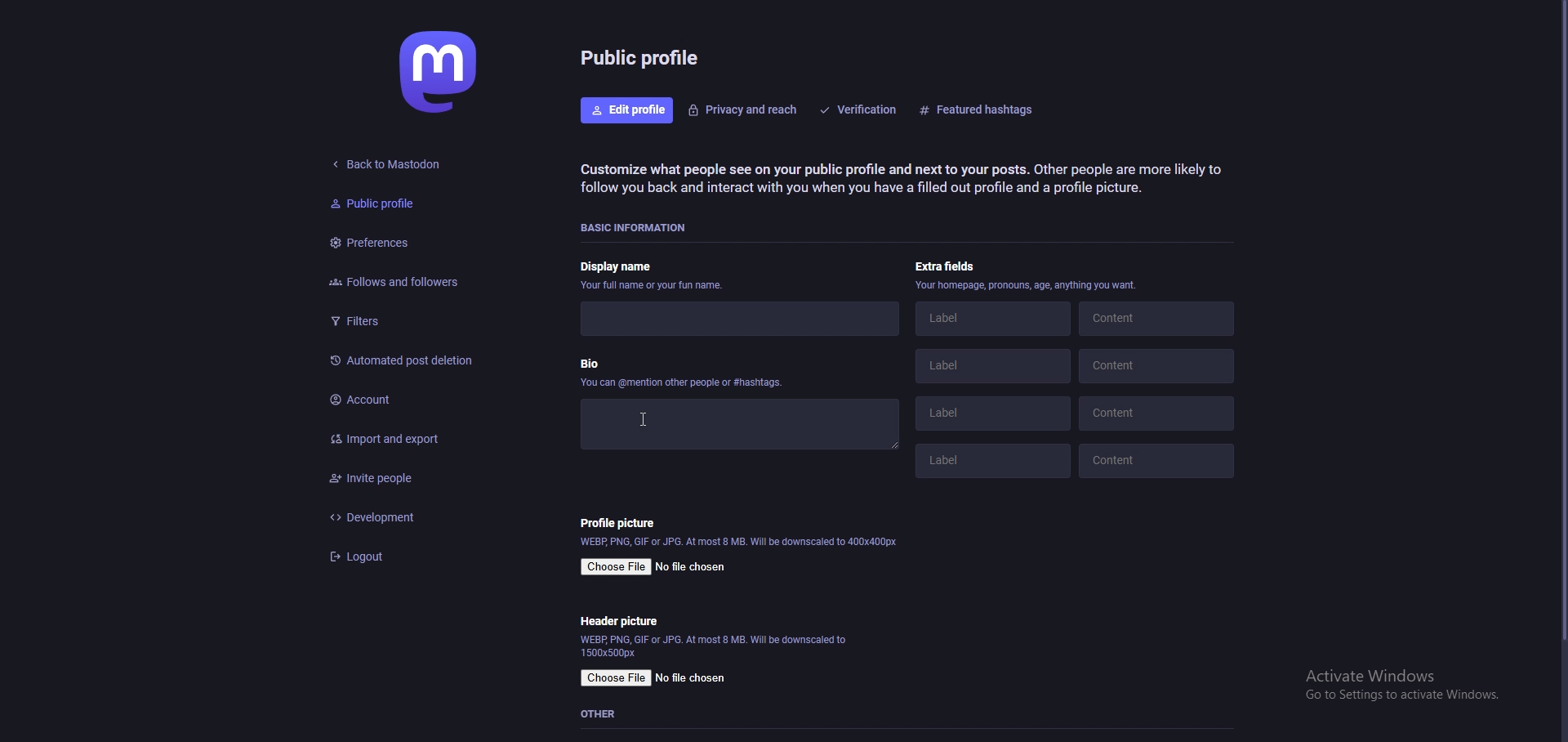 The image size is (1568, 742). What do you see at coordinates (684, 371) in the screenshot?
I see `bio` at bounding box center [684, 371].